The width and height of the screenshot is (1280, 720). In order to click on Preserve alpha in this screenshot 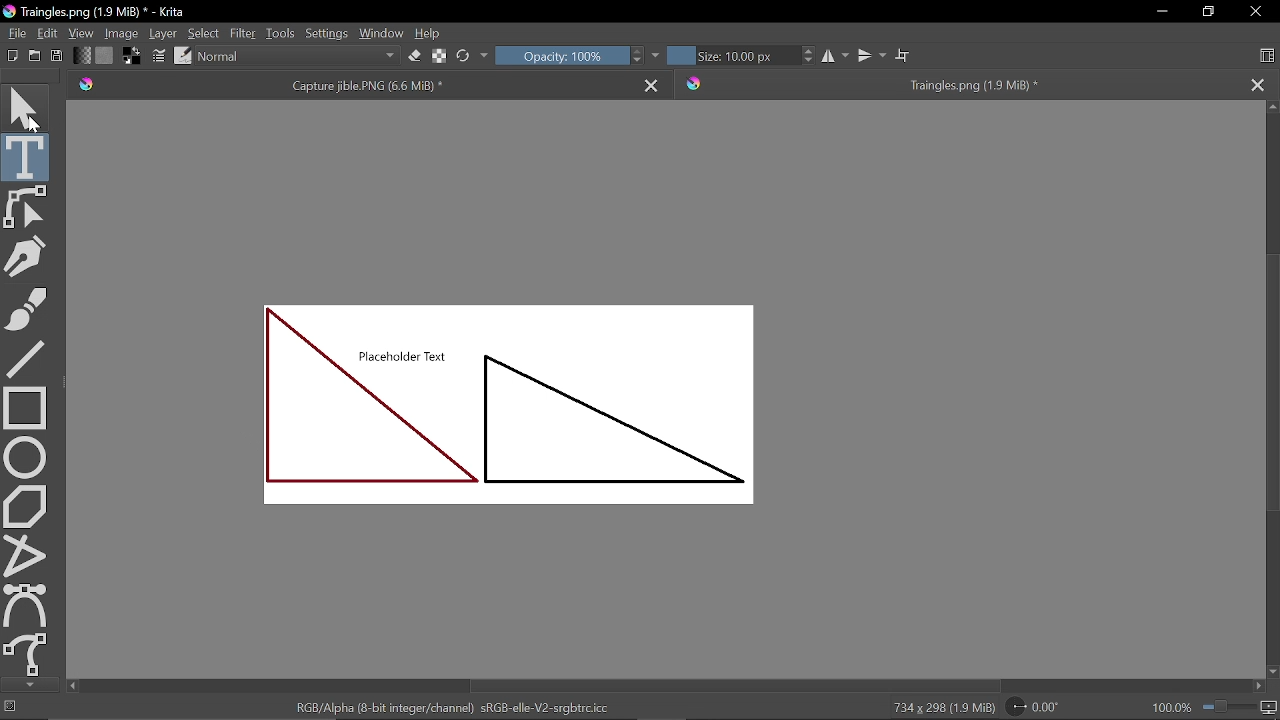, I will do `click(438, 58)`.